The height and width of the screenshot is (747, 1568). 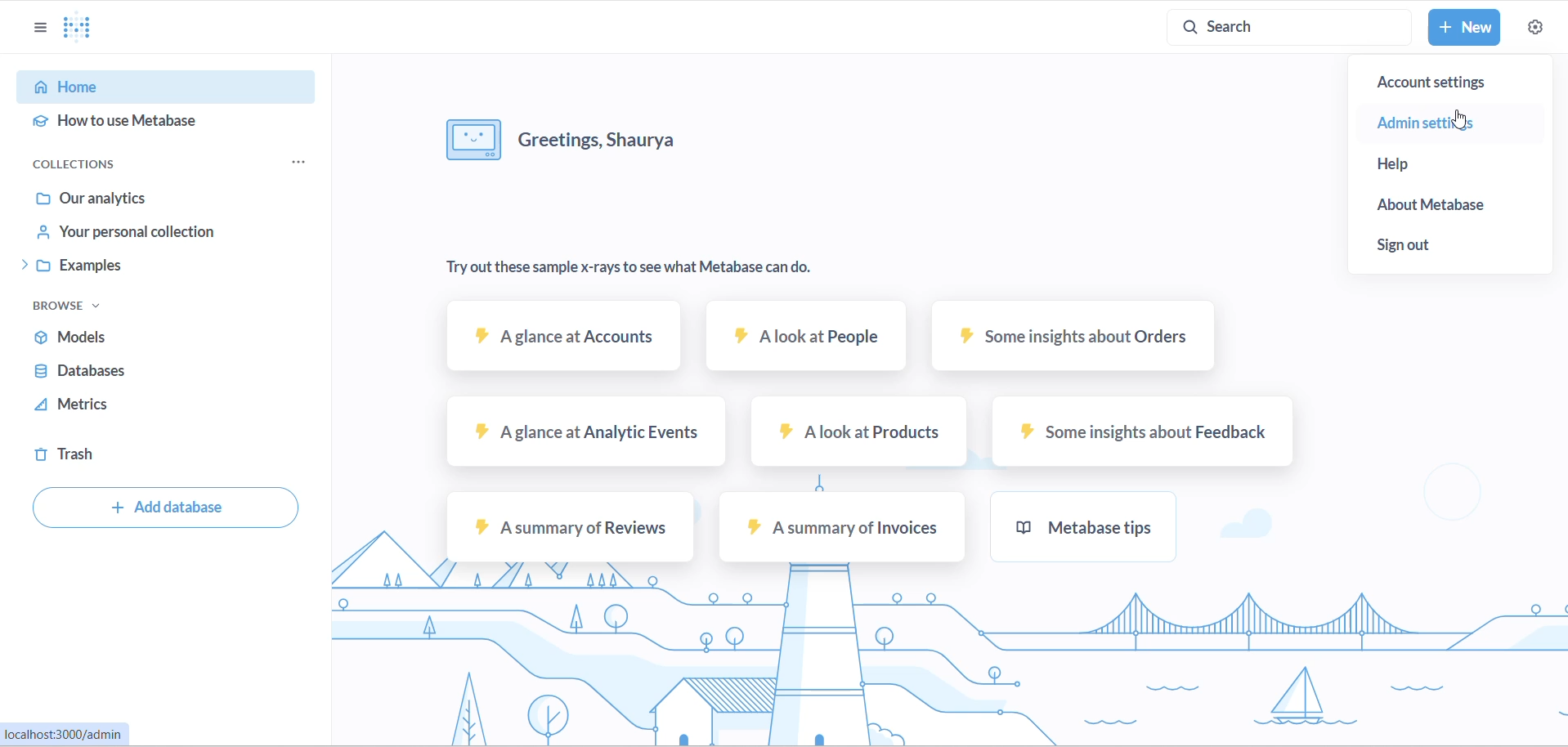 I want to click on metrics, so click(x=106, y=408).